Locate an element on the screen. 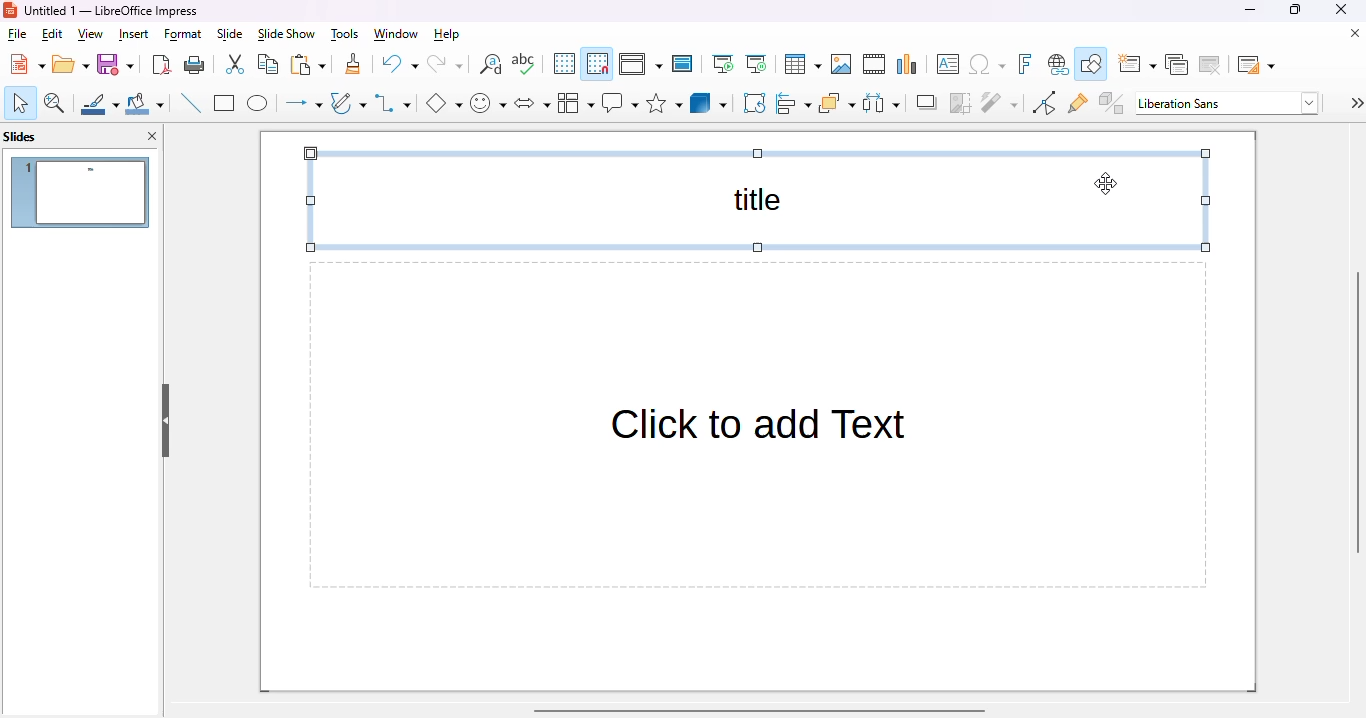  slide layout is located at coordinates (1256, 65).